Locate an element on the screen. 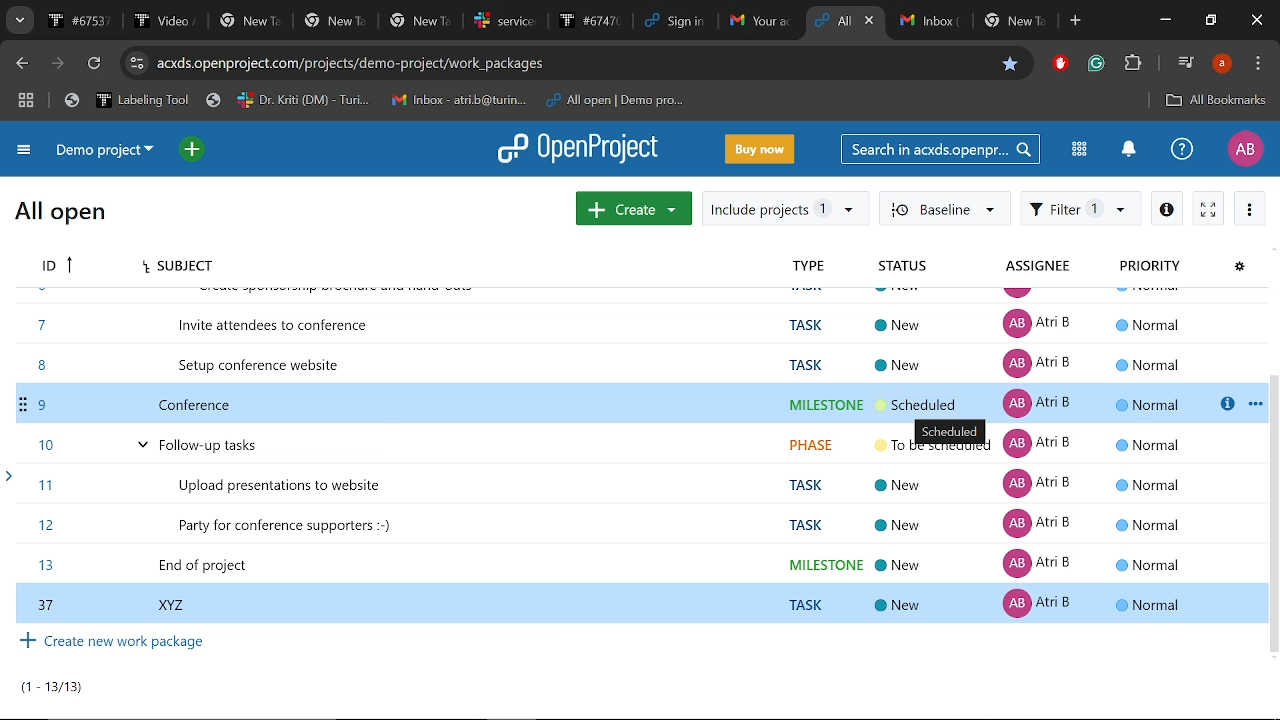 The width and height of the screenshot is (1280, 720). Activaet zen mode is located at coordinates (1208, 208).